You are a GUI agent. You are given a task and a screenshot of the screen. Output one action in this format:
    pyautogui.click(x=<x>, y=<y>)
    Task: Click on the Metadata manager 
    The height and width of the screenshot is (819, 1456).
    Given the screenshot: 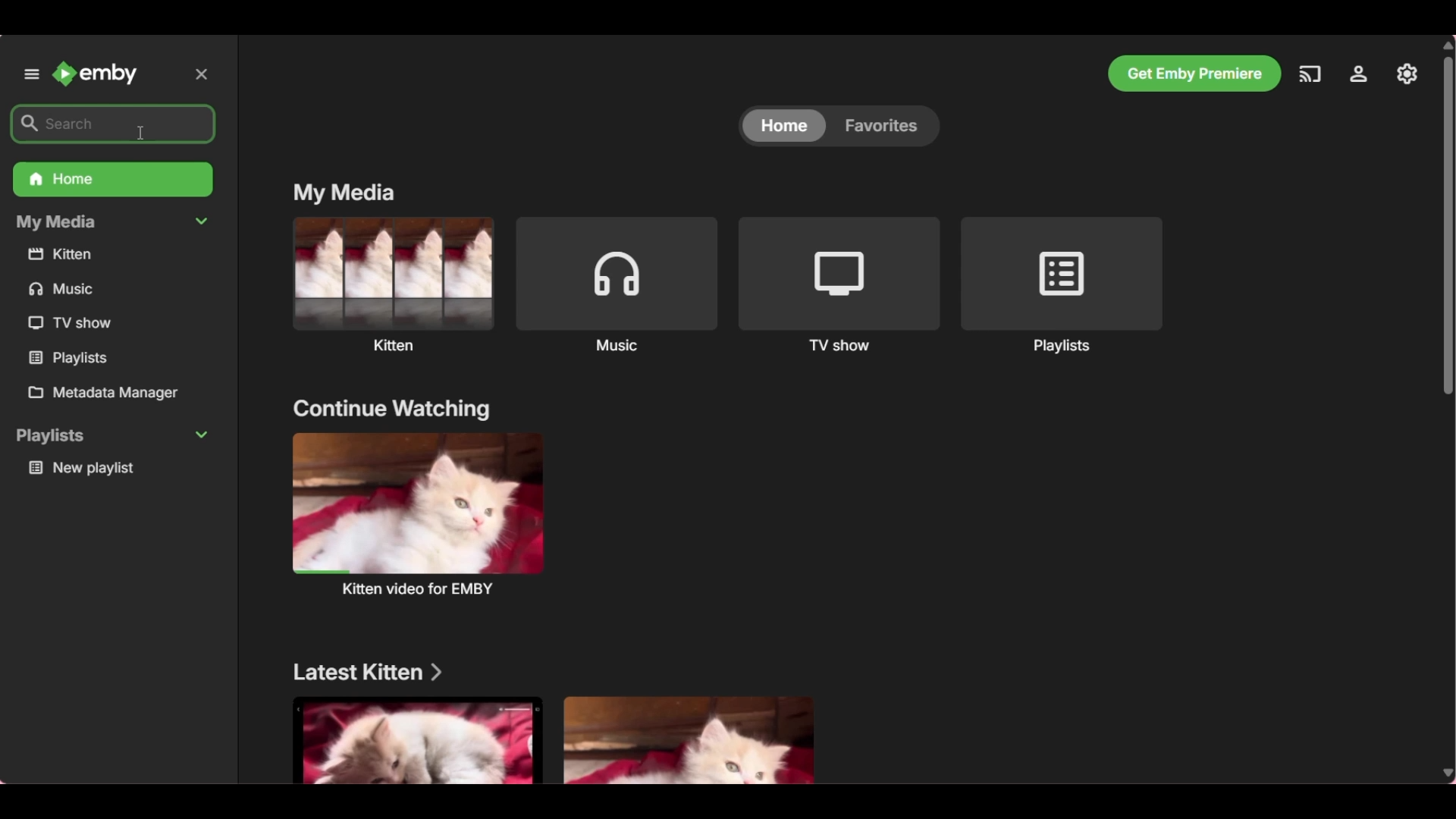 What is the action you would take?
    pyautogui.click(x=117, y=393)
    